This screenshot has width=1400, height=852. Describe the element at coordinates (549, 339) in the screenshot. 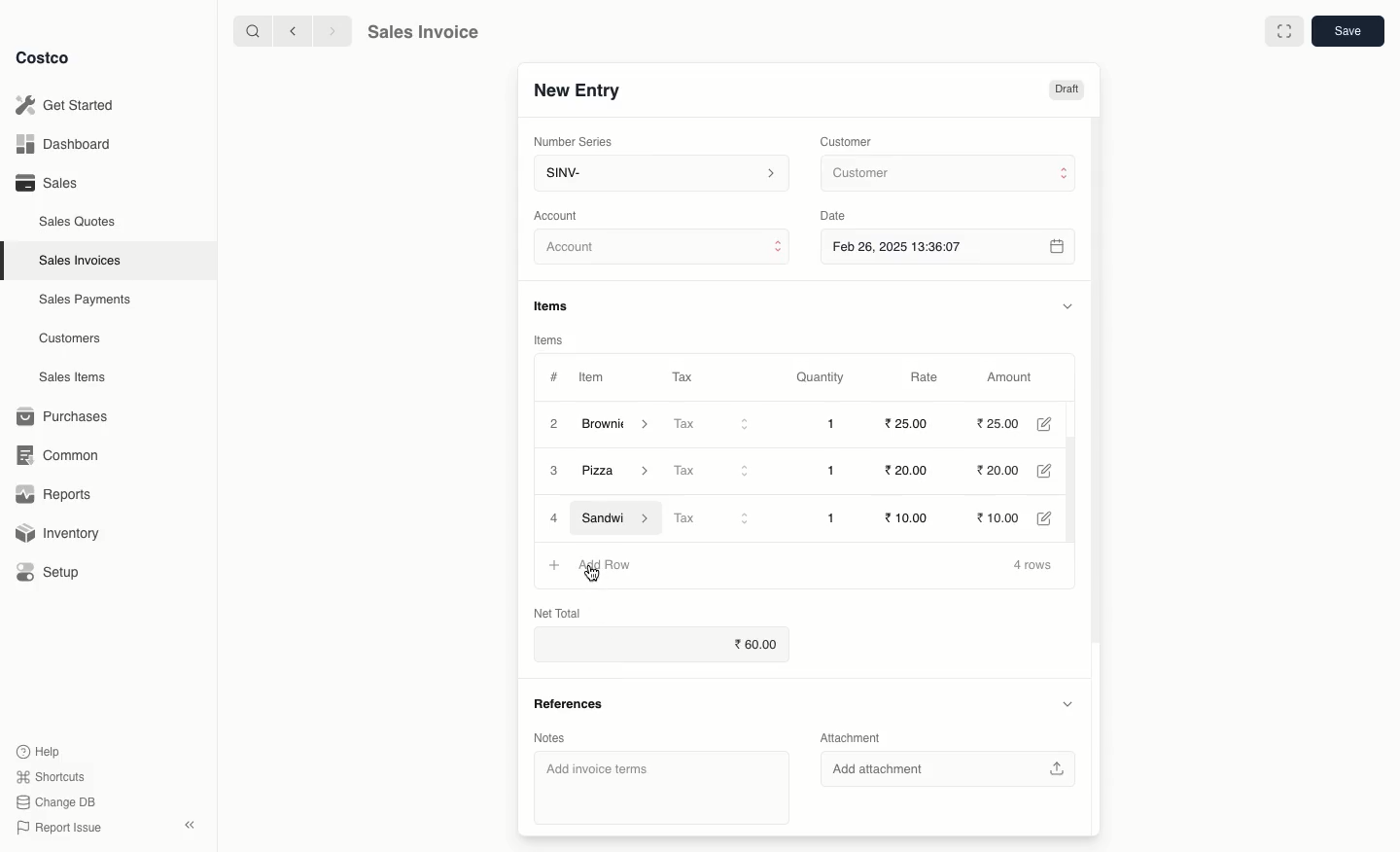

I see `Items` at that location.